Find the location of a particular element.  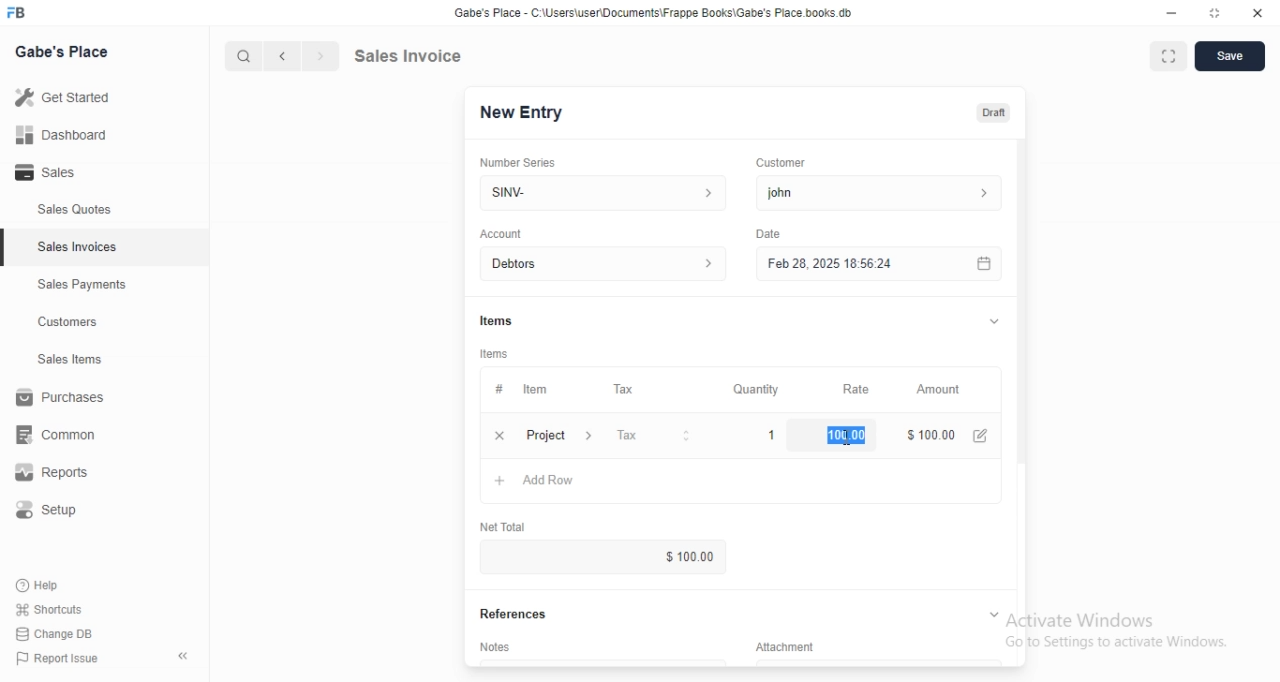

tem is located at coordinates (541, 389).